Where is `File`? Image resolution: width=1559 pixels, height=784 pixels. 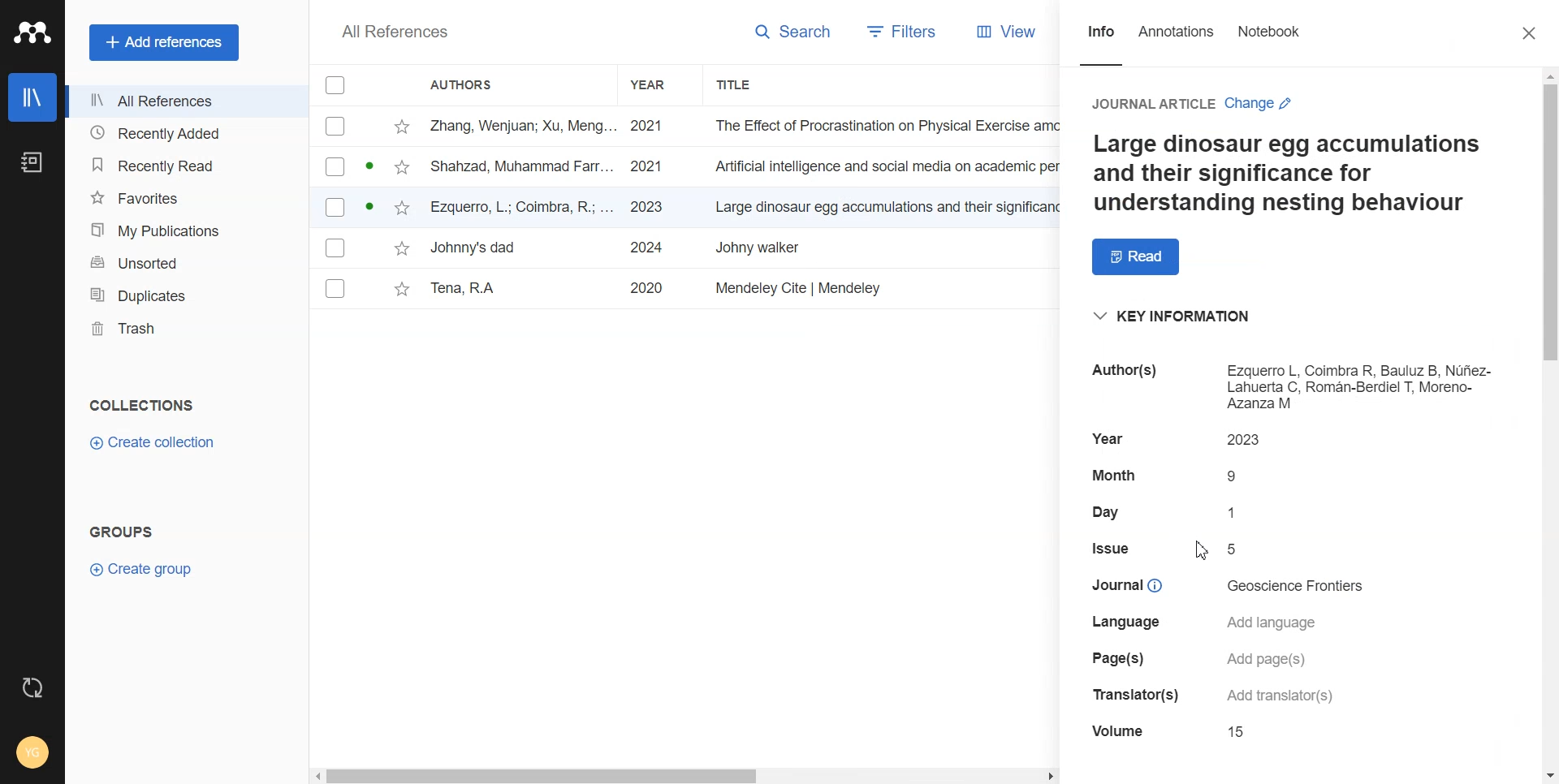 File is located at coordinates (749, 166).